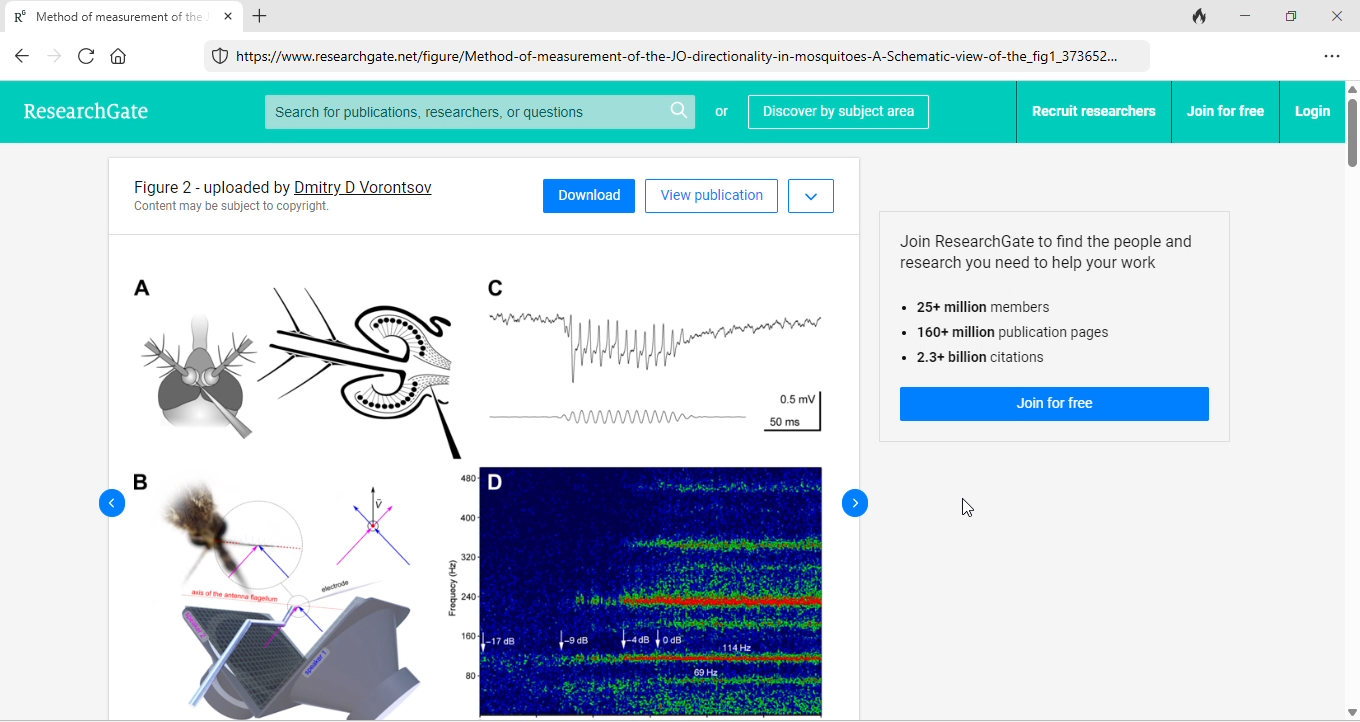 The image size is (1360, 722). I want to click on track tab, so click(1199, 15).